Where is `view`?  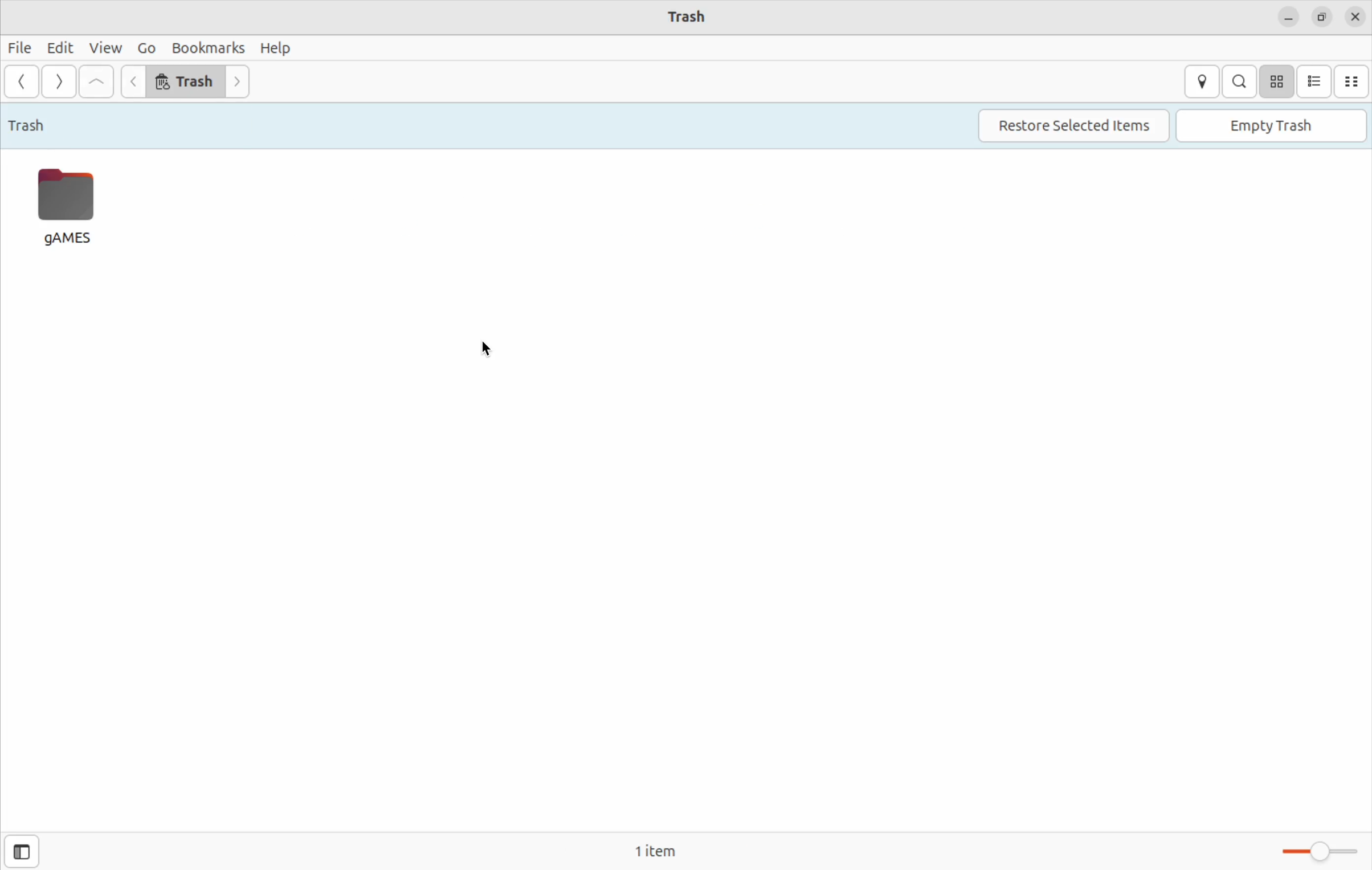 view is located at coordinates (105, 48).